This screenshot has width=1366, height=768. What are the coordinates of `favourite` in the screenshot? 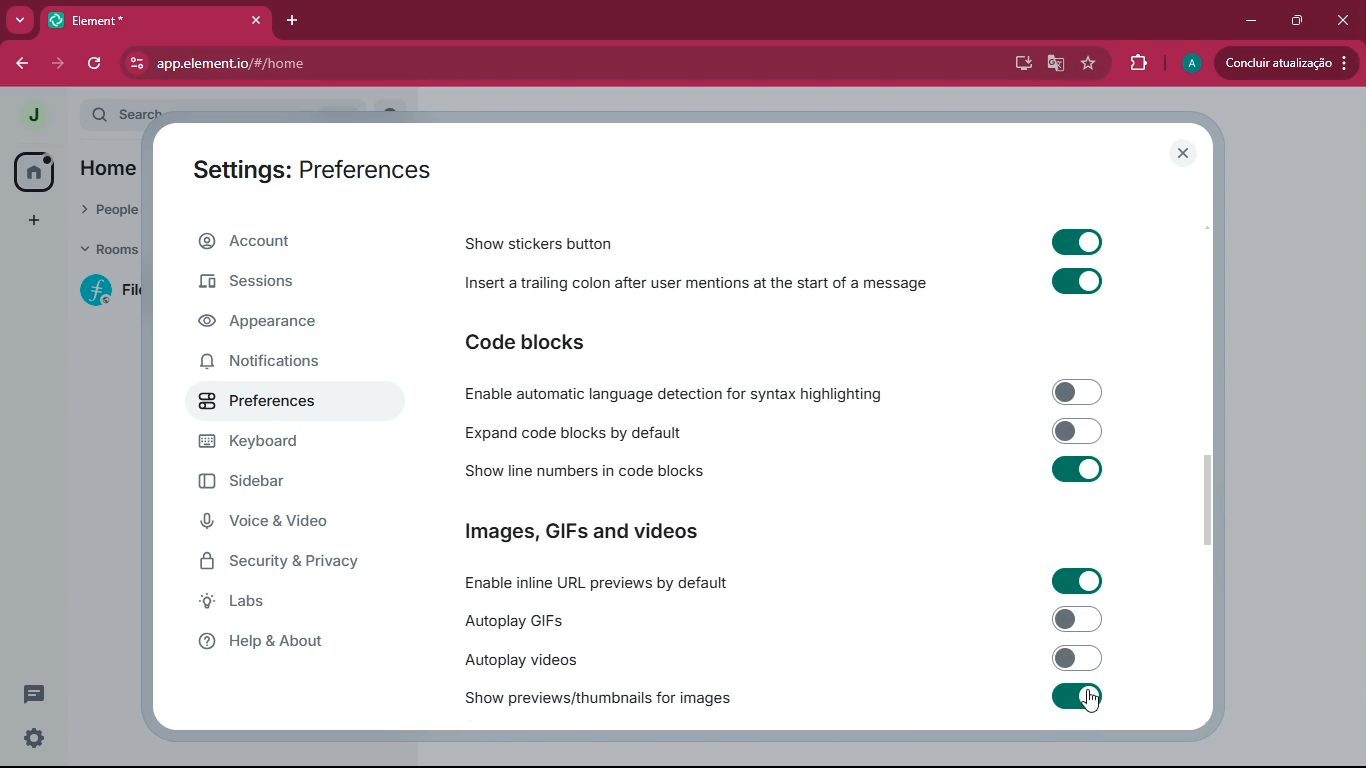 It's located at (1087, 64).